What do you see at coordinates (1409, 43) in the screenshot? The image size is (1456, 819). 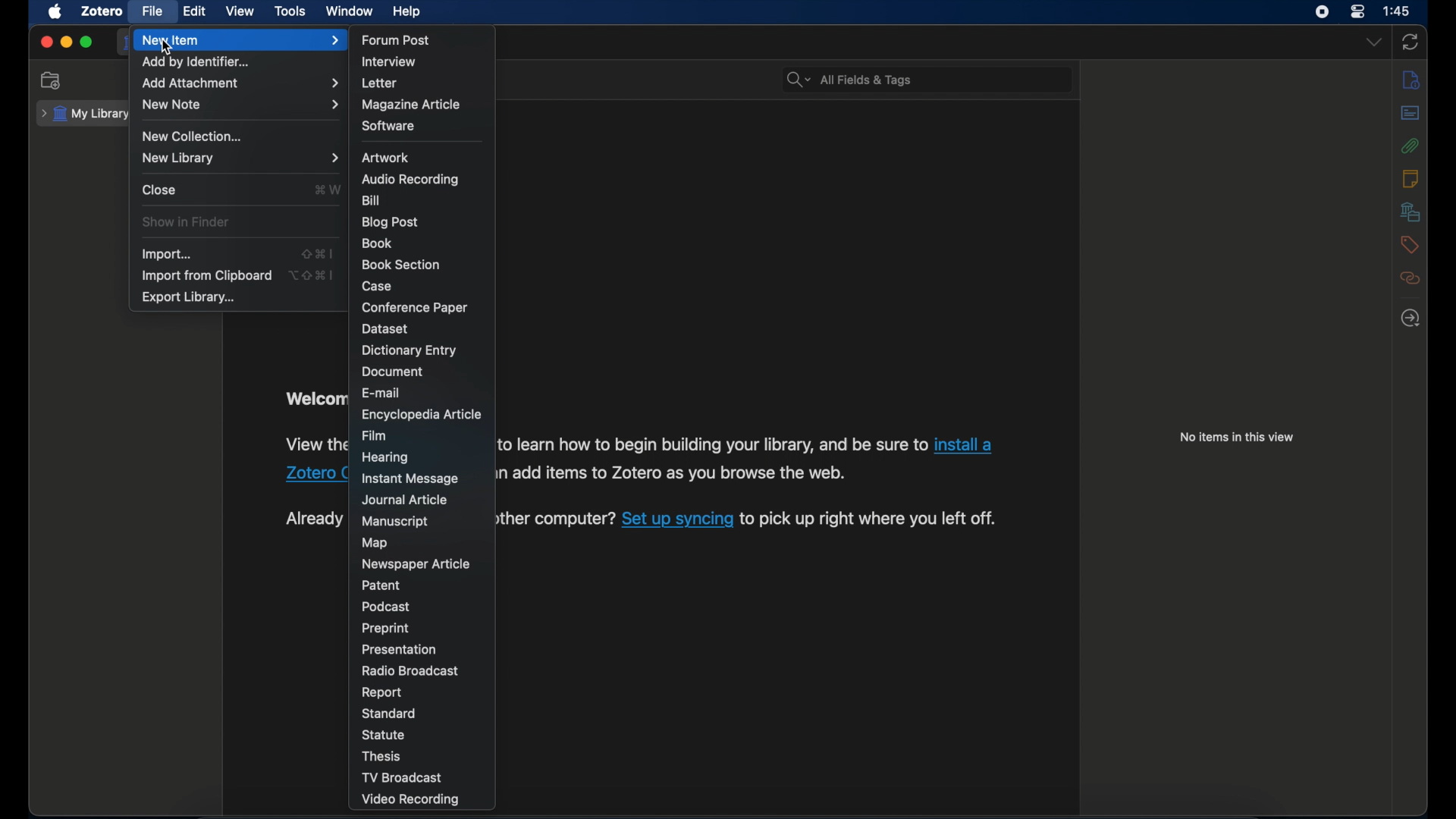 I see `sync` at bounding box center [1409, 43].